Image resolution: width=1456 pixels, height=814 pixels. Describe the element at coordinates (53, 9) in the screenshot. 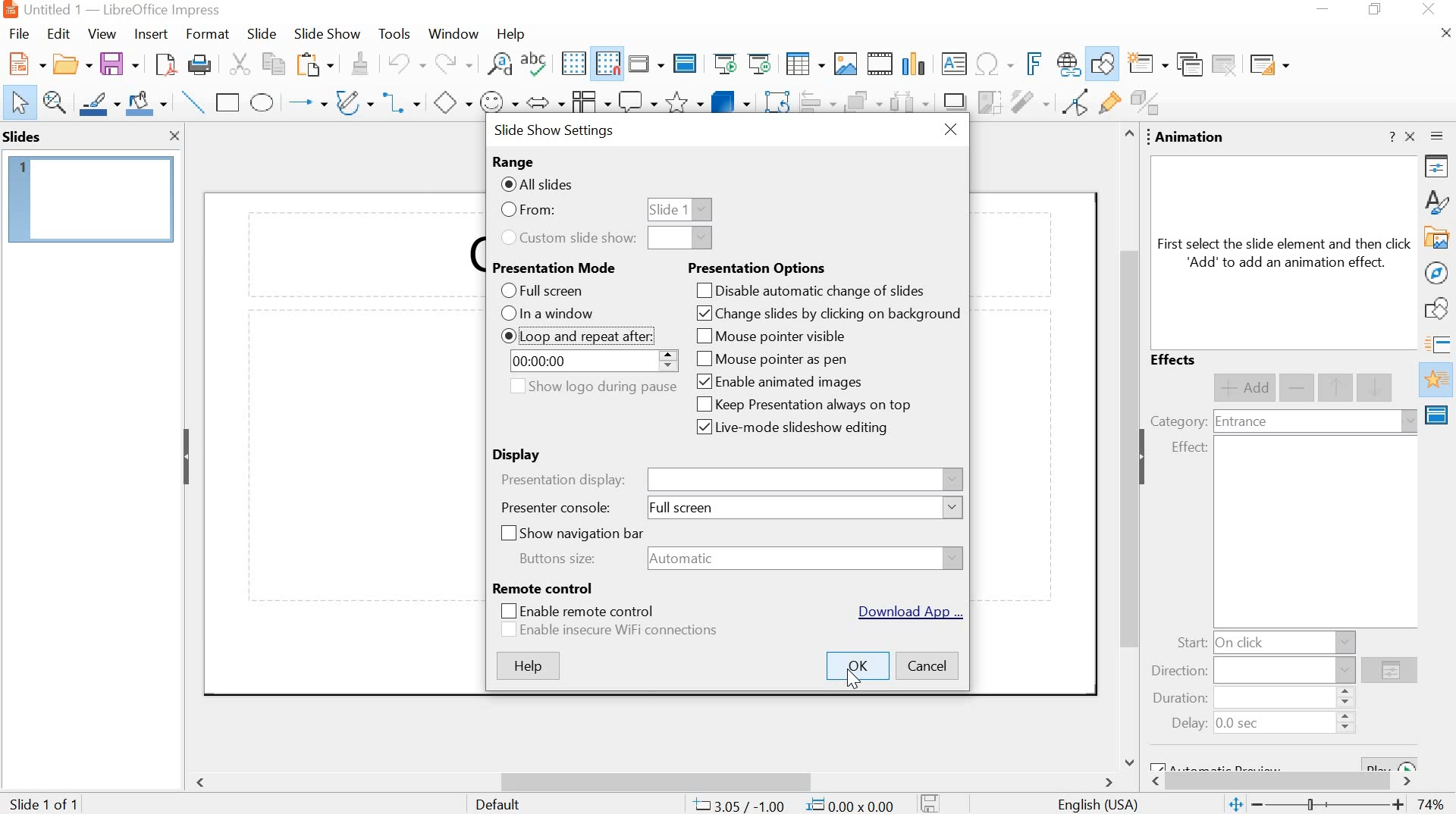

I see `file name` at that location.